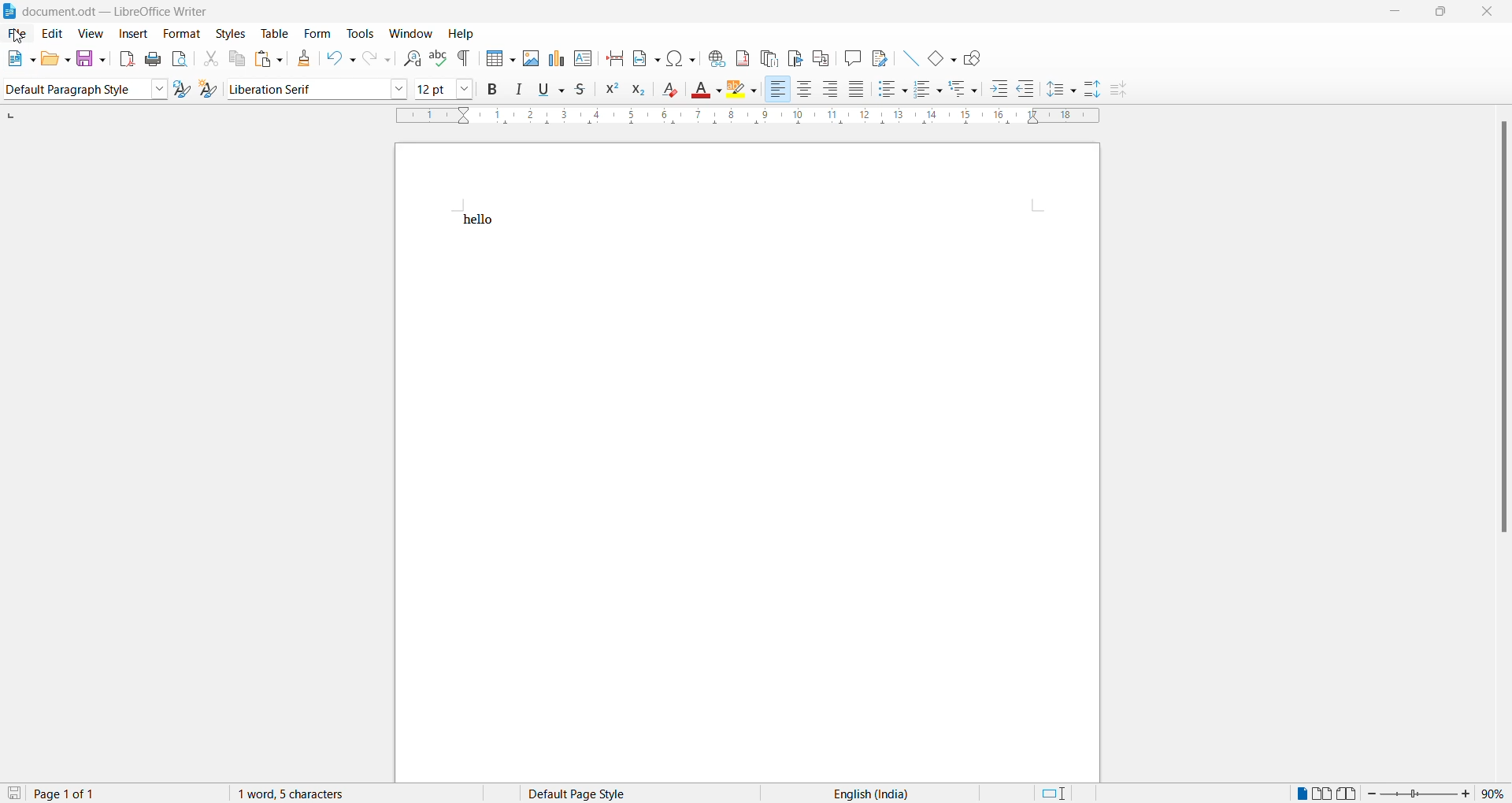 This screenshot has width=1512, height=803. Describe the element at coordinates (412, 33) in the screenshot. I see `Window` at that location.